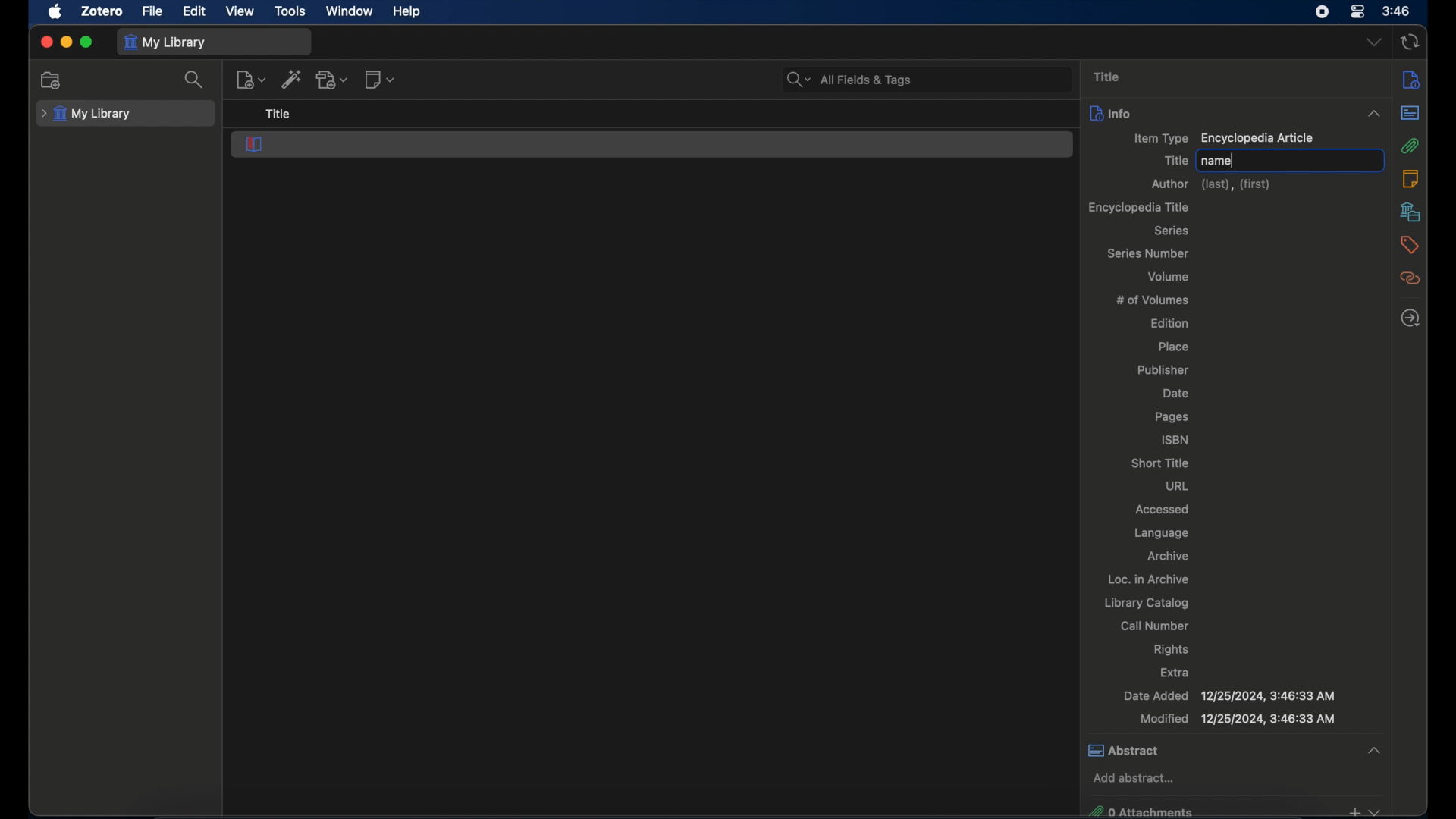  Describe the element at coordinates (1175, 347) in the screenshot. I see `place` at that location.